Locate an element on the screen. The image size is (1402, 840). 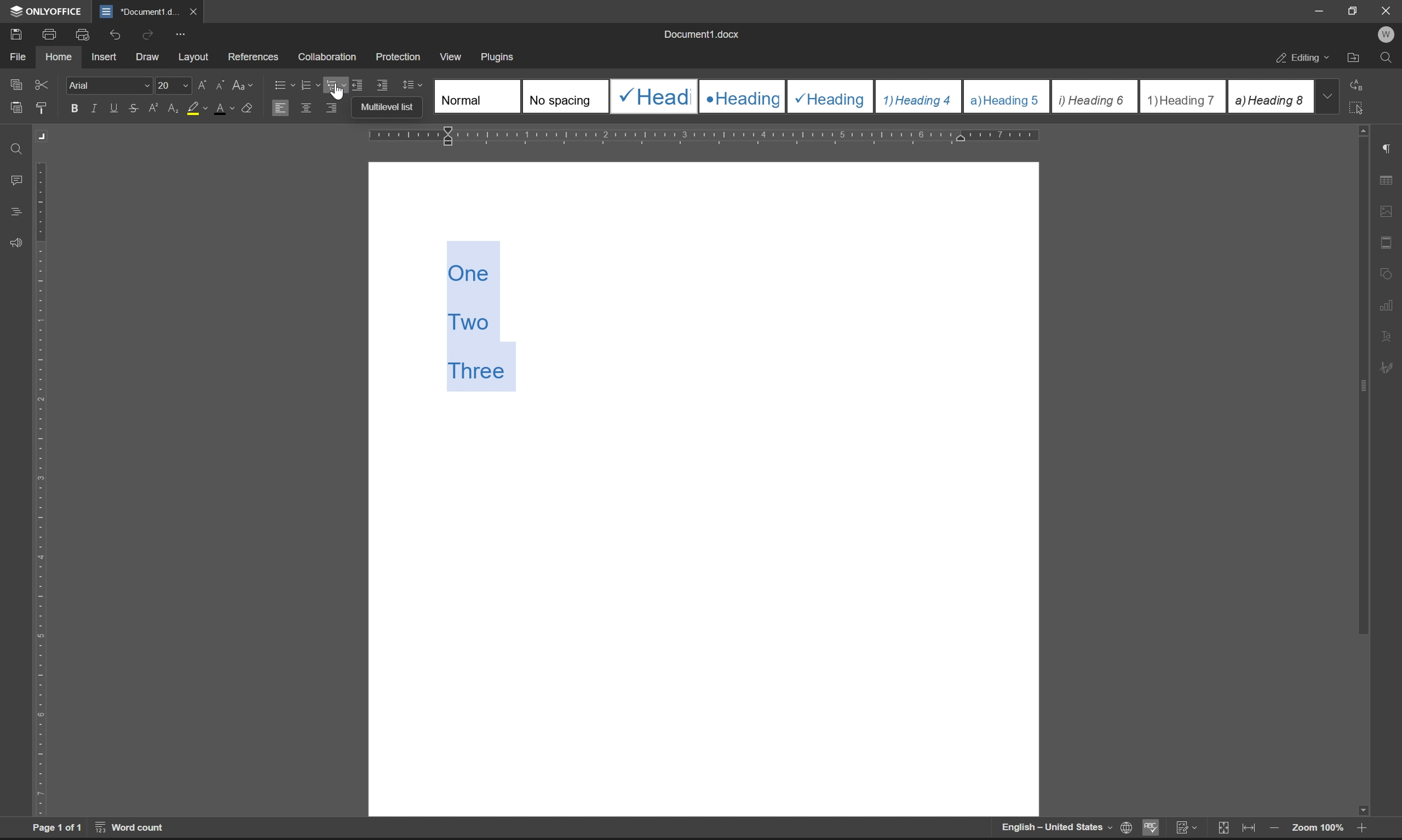
font size is located at coordinates (171, 84).